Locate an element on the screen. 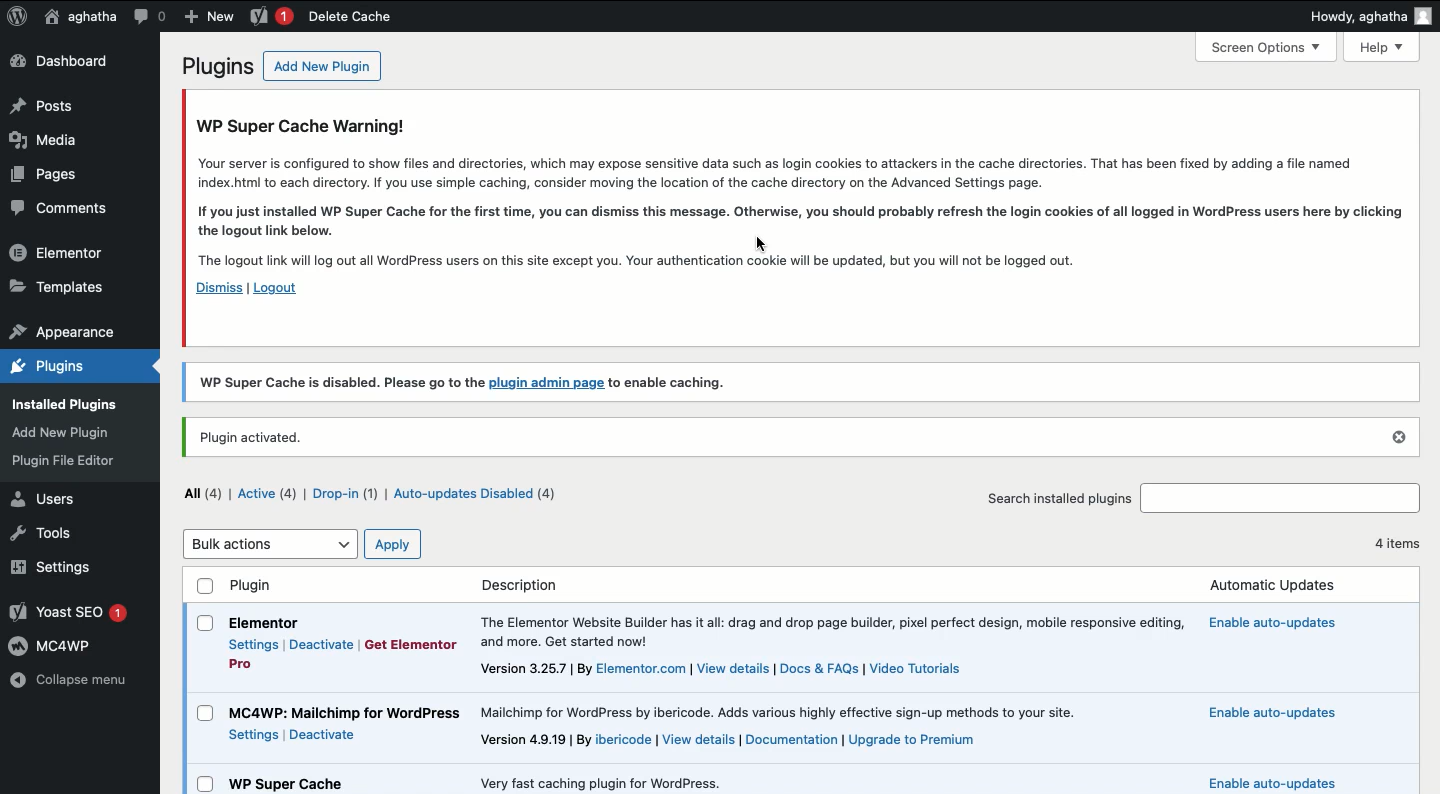 Image resolution: width=1440 pixels, height=794 pixels. Tools is located at coordinates (50, 534).